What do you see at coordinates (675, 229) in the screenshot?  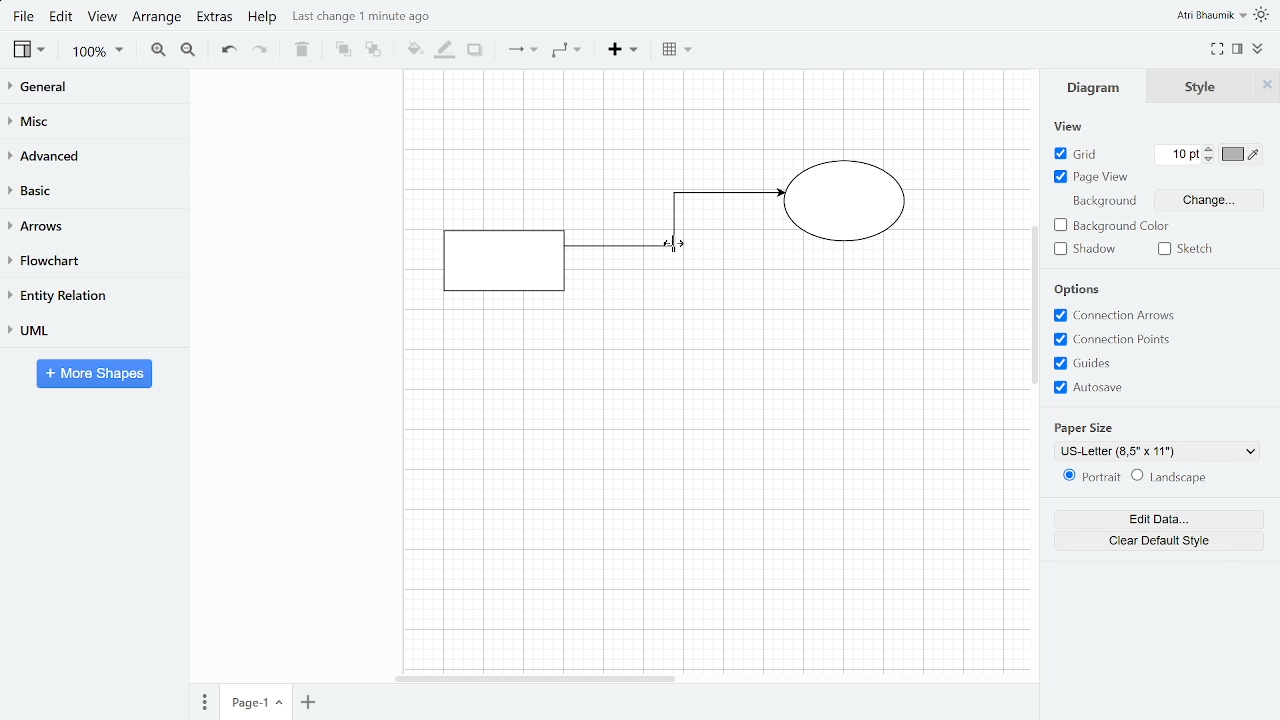 I see `Connector` at bounding box center [675, 229].